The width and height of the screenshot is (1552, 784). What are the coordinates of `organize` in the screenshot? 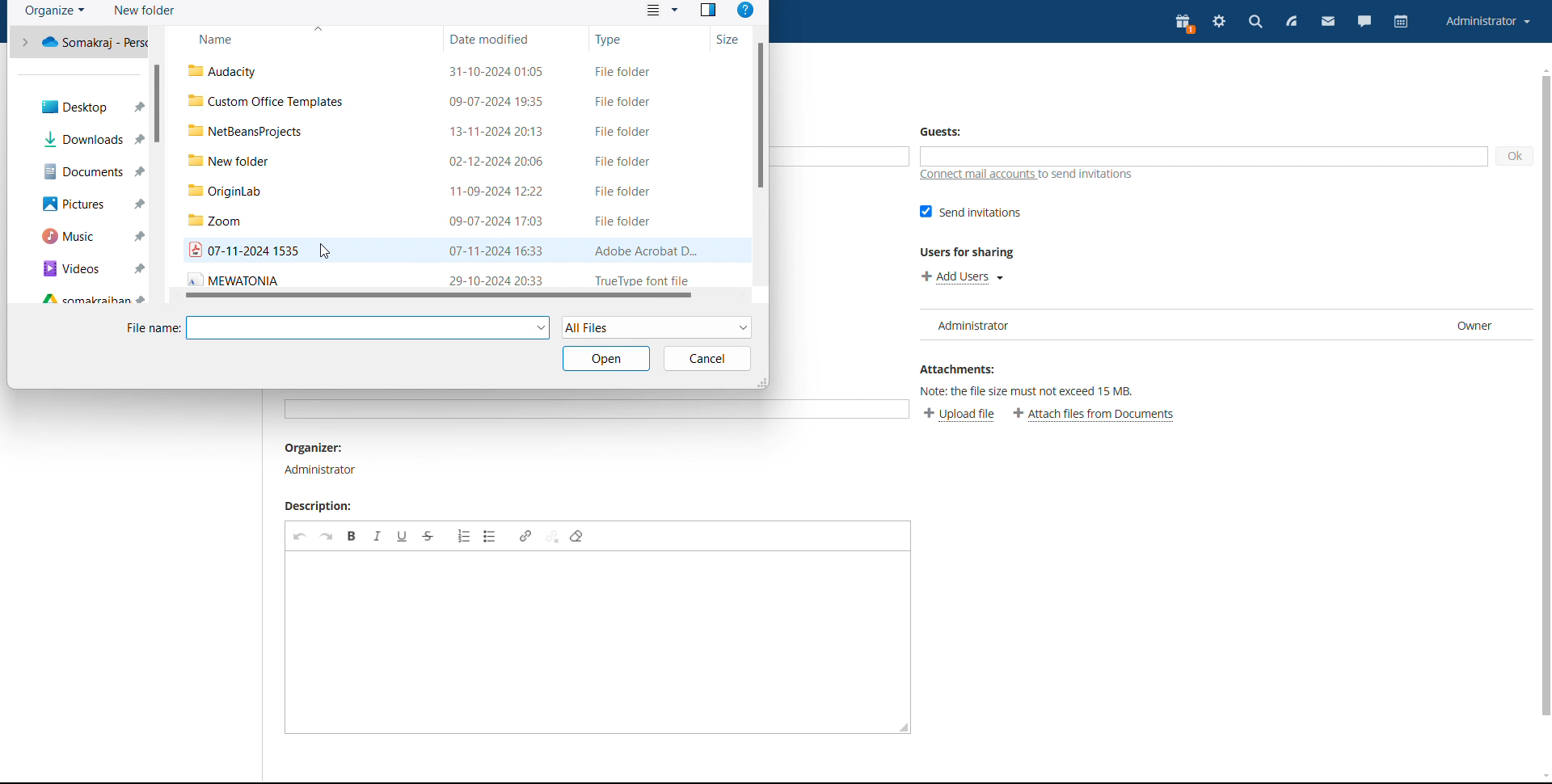 It's located at (54, 11).